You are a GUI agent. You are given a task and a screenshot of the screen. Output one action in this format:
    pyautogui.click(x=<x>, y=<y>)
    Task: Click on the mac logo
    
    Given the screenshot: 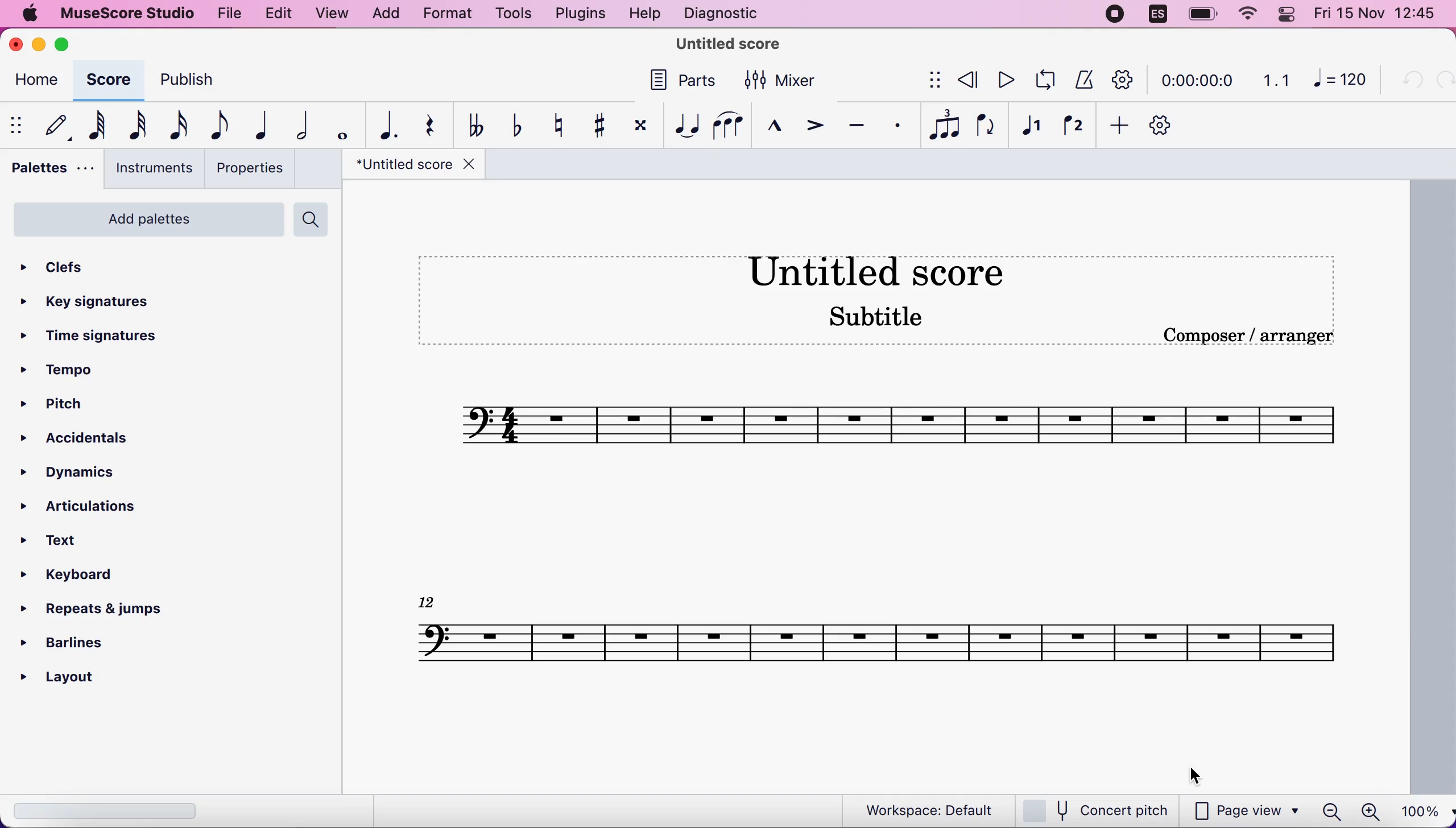 What is the action you would take?
    pyautogui.click(x=30, y=15)
    